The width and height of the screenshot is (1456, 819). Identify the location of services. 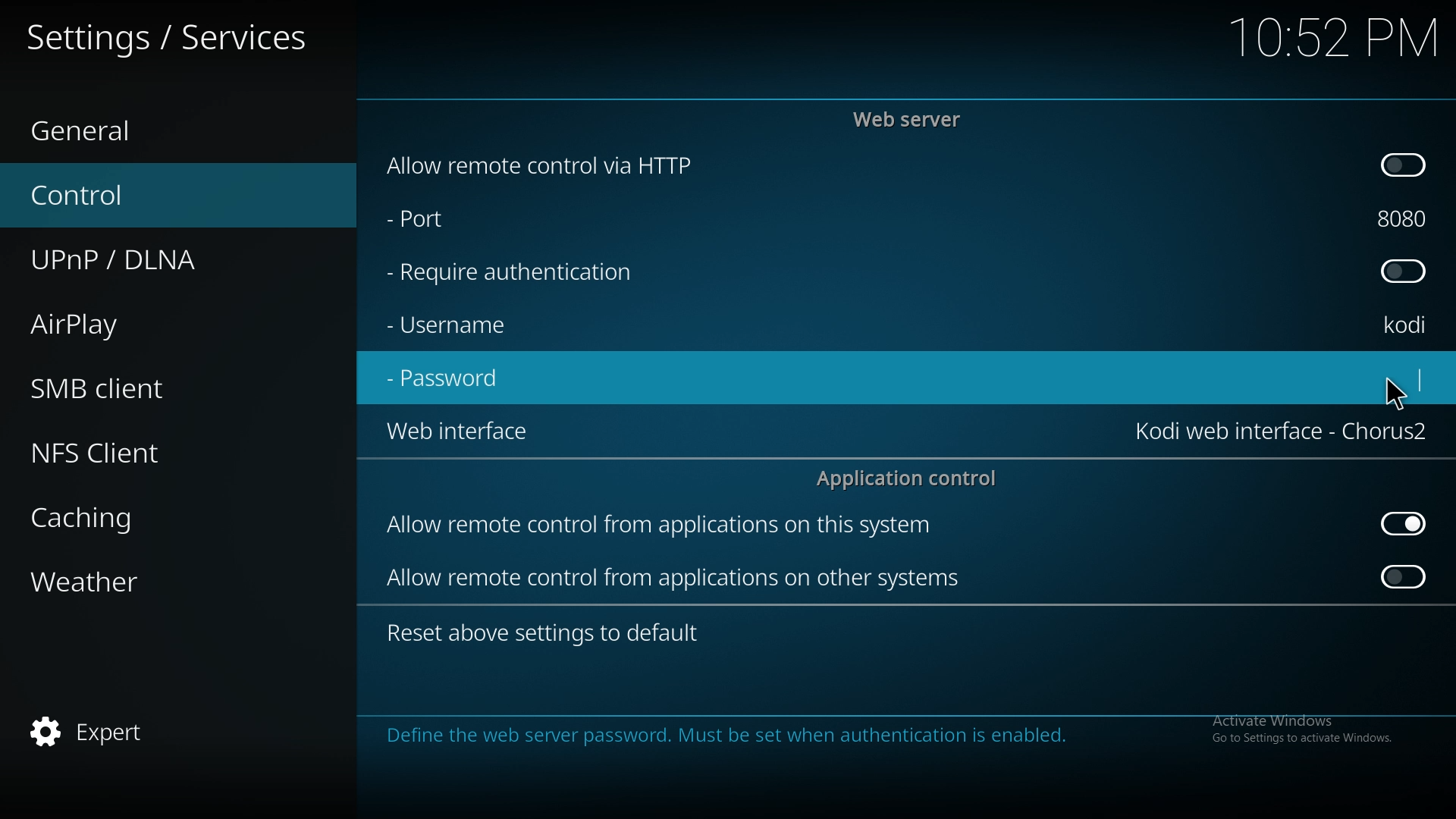
(168, 34).